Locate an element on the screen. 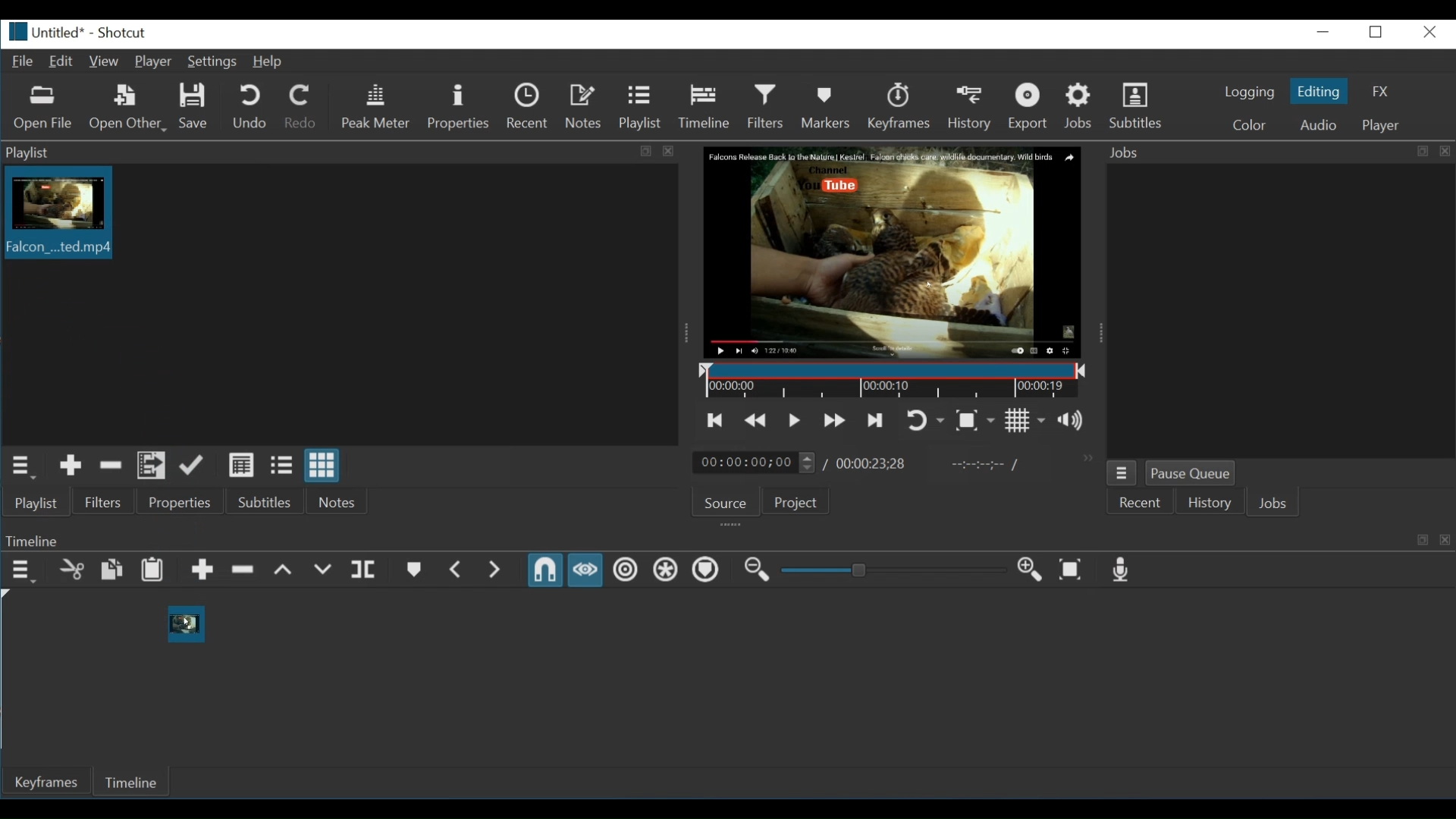 Image resolution: width=1456 pixels, height=819 pixels. Restore is located at coordinates (1377, 32).